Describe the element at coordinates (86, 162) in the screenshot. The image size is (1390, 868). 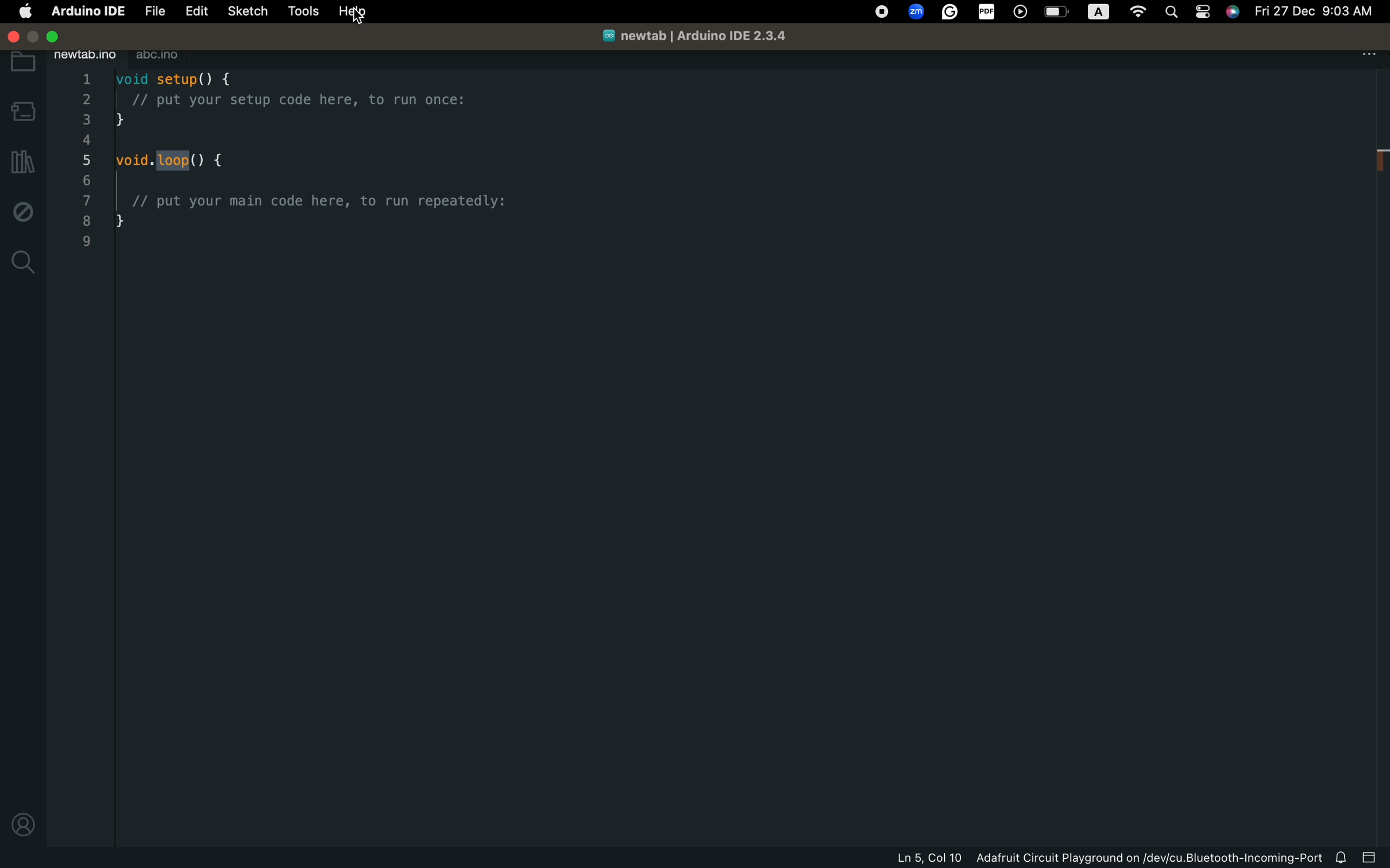
I see `line numbers` at that location.